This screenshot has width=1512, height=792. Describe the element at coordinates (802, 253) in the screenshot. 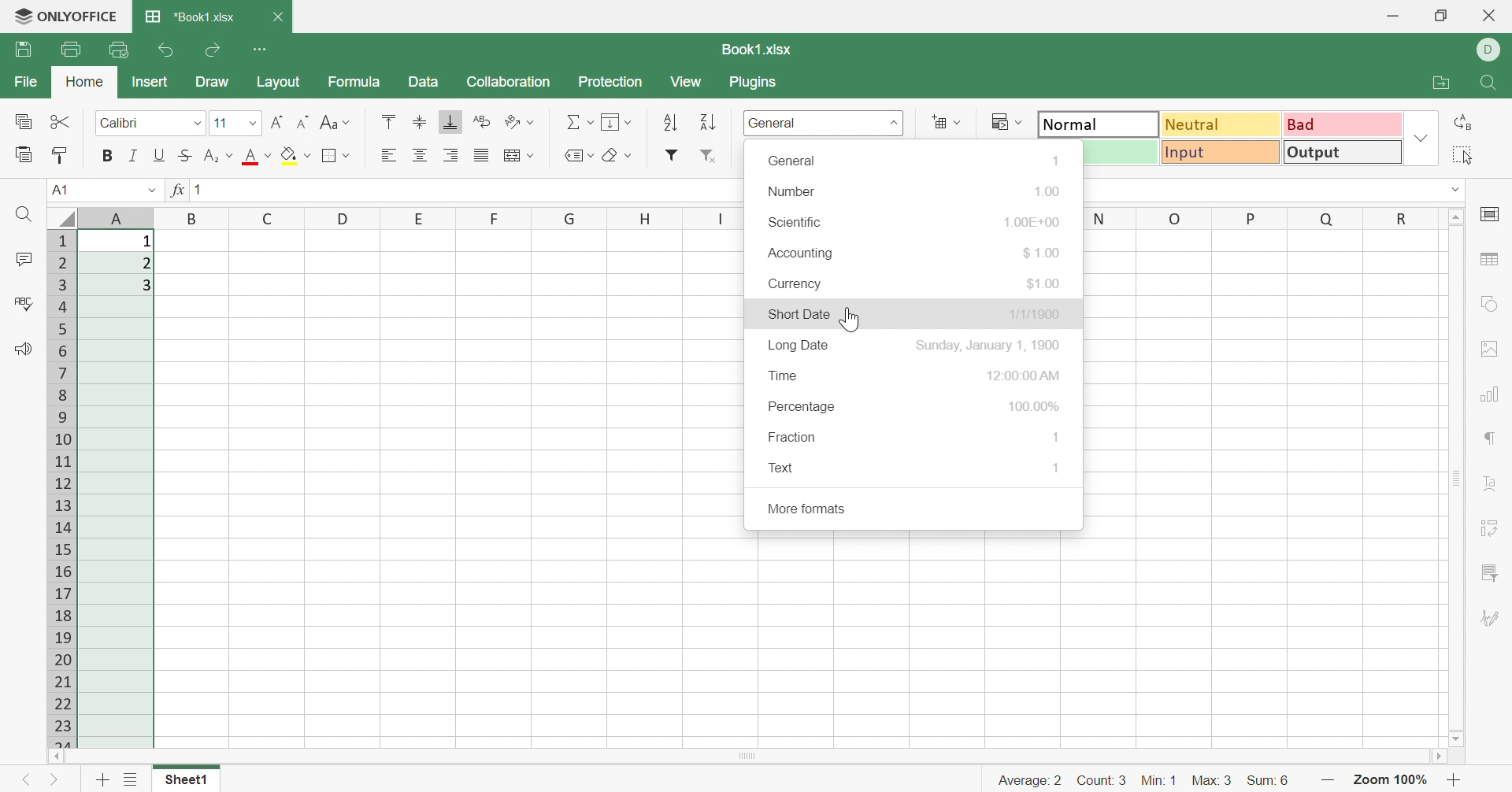

I see `Accounting` at that location.